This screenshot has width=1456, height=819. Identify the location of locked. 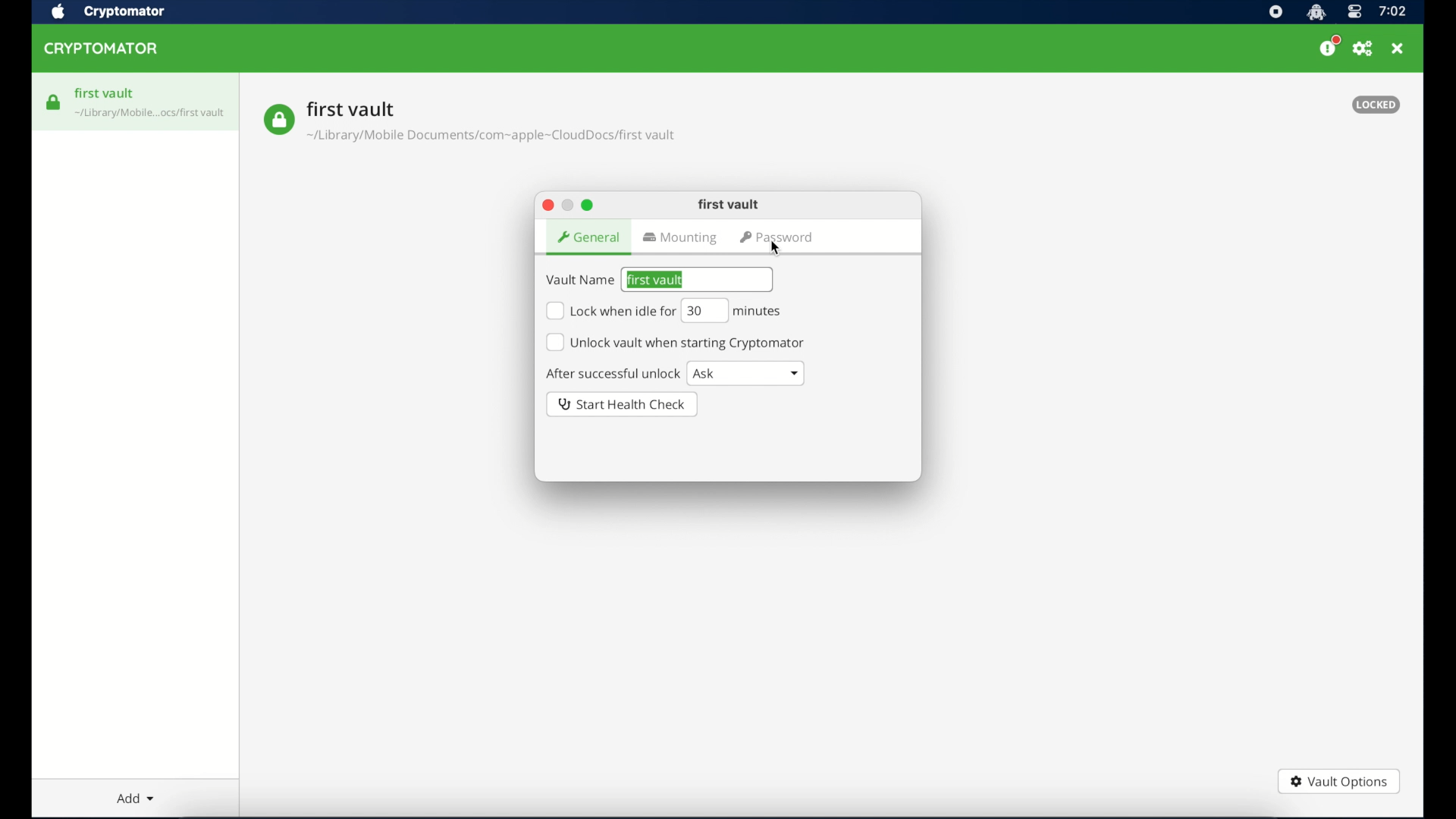
(1376, 105).